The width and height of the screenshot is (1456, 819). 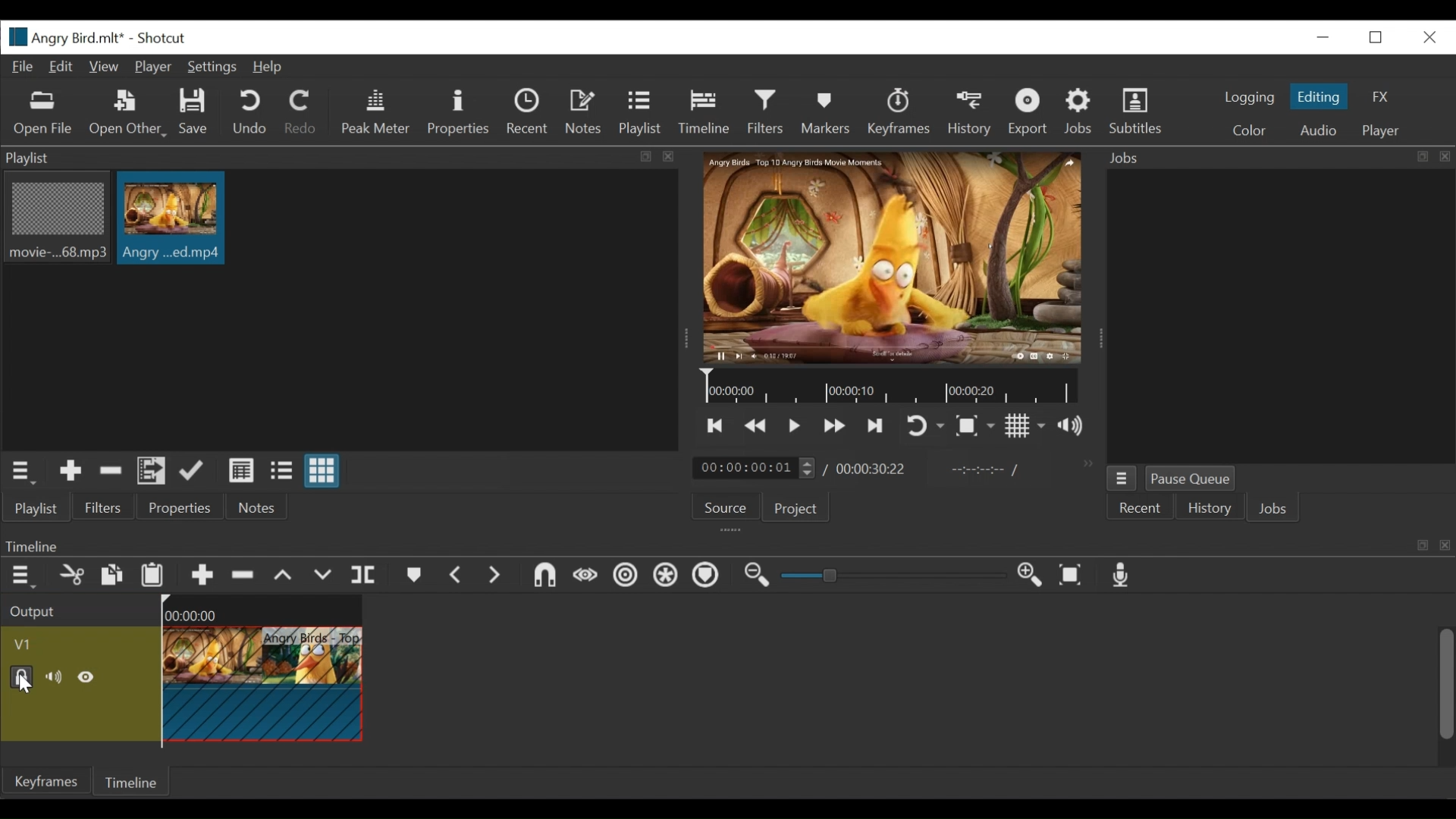 I want to click on Undo, so click(x=249, y=113).